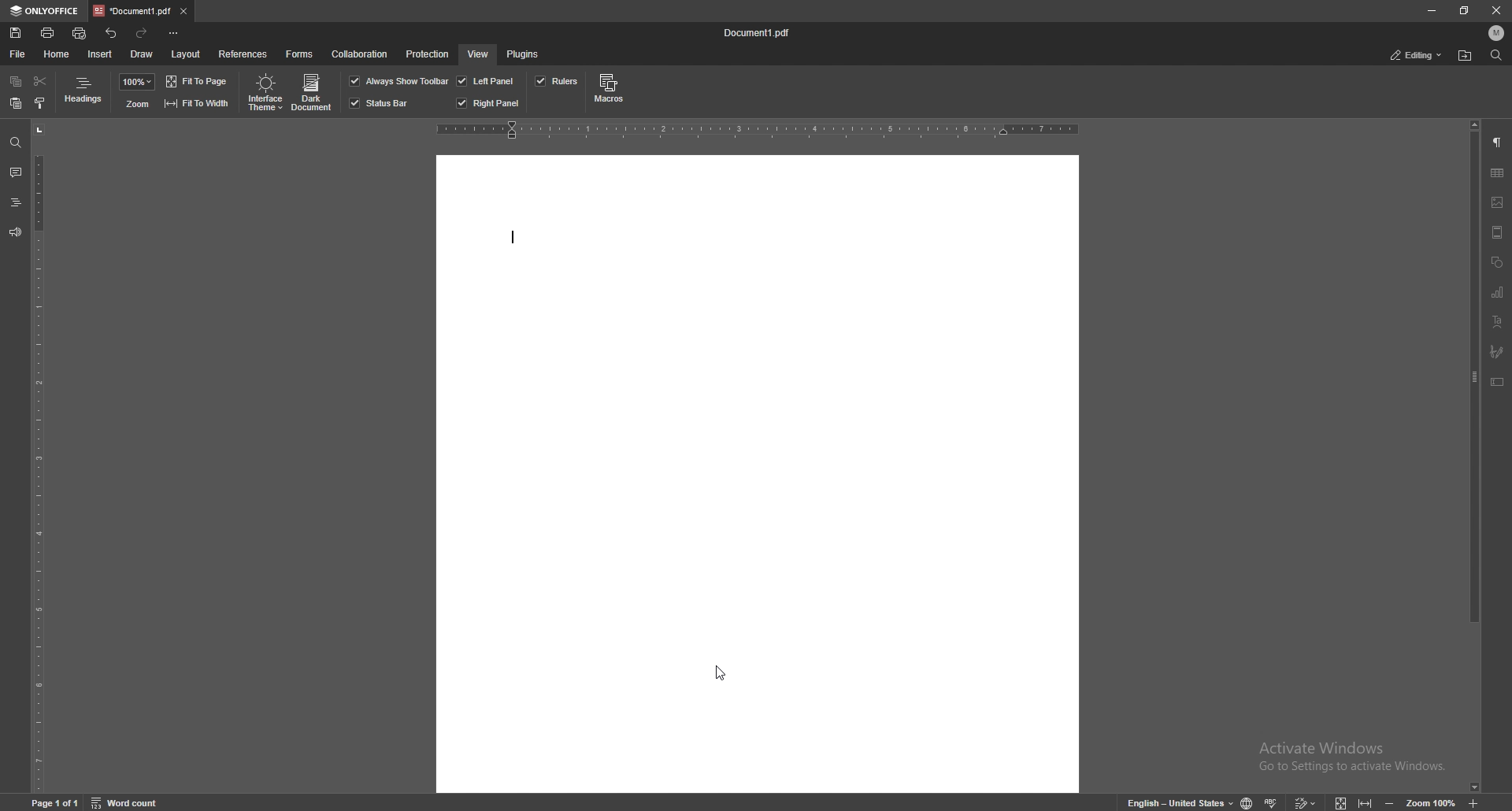 The image size is (1512, 811). Describe the element at coordinates (132, 802) in the screenshot. I see `word count` at that location.